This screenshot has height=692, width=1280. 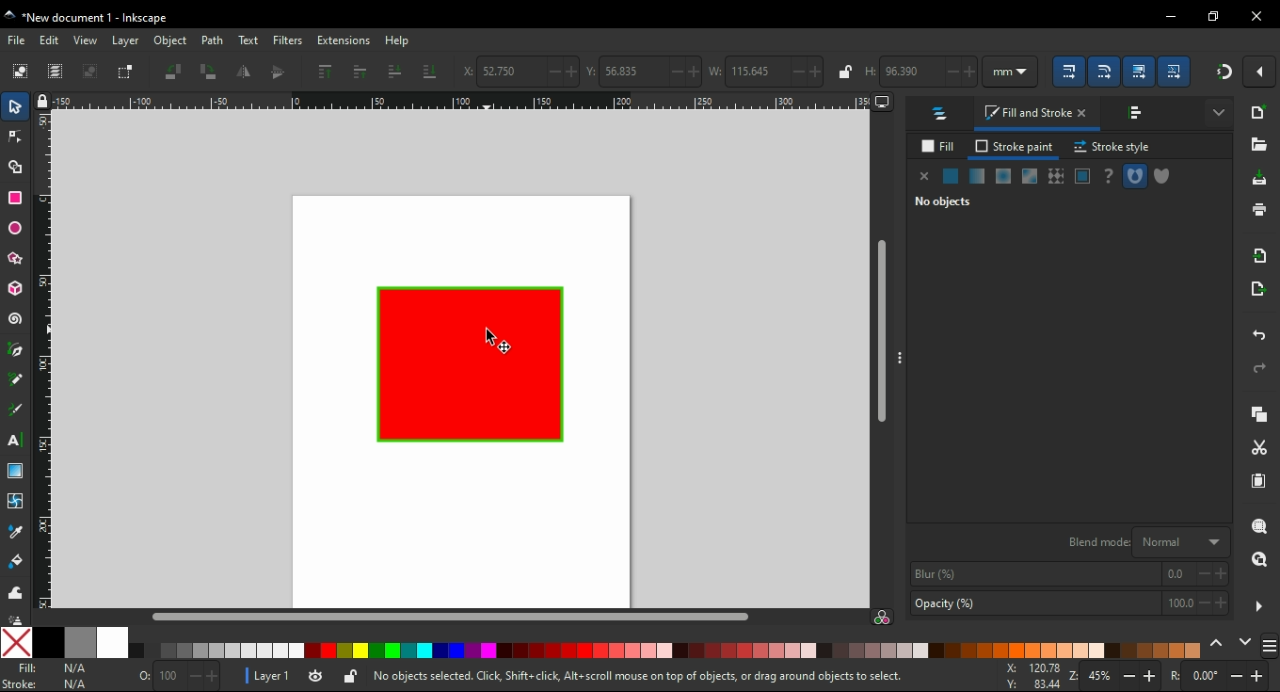 What do you see at coordinates (429, 70) in the screenshot?
I see `lower to bottom` at bounding box center [429, 70].